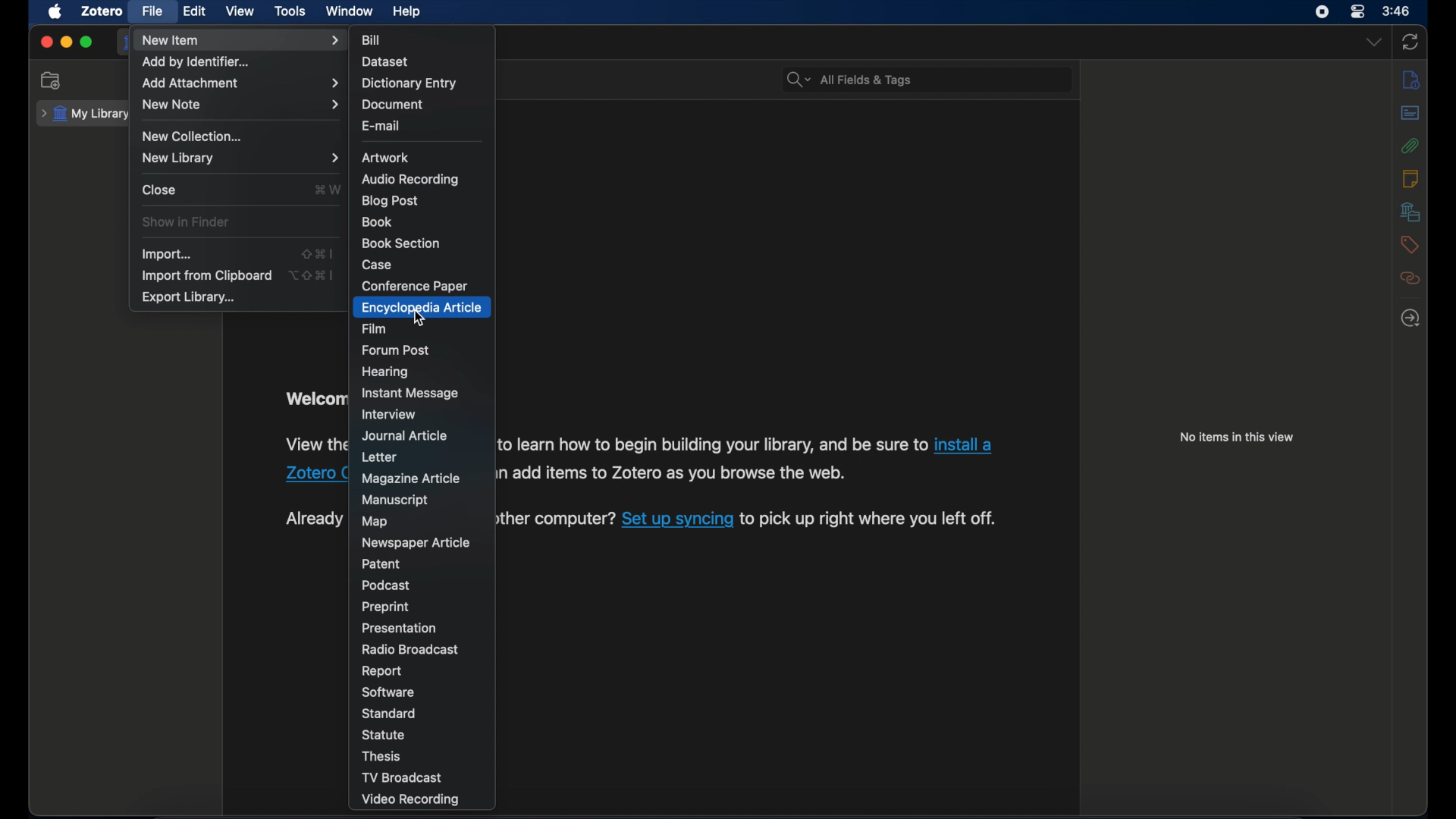 The height and width of the screenshot is (819, 1456). Describe the element at coordinates (750, 459) in the screenshot. I see `installation instruction` at that location.